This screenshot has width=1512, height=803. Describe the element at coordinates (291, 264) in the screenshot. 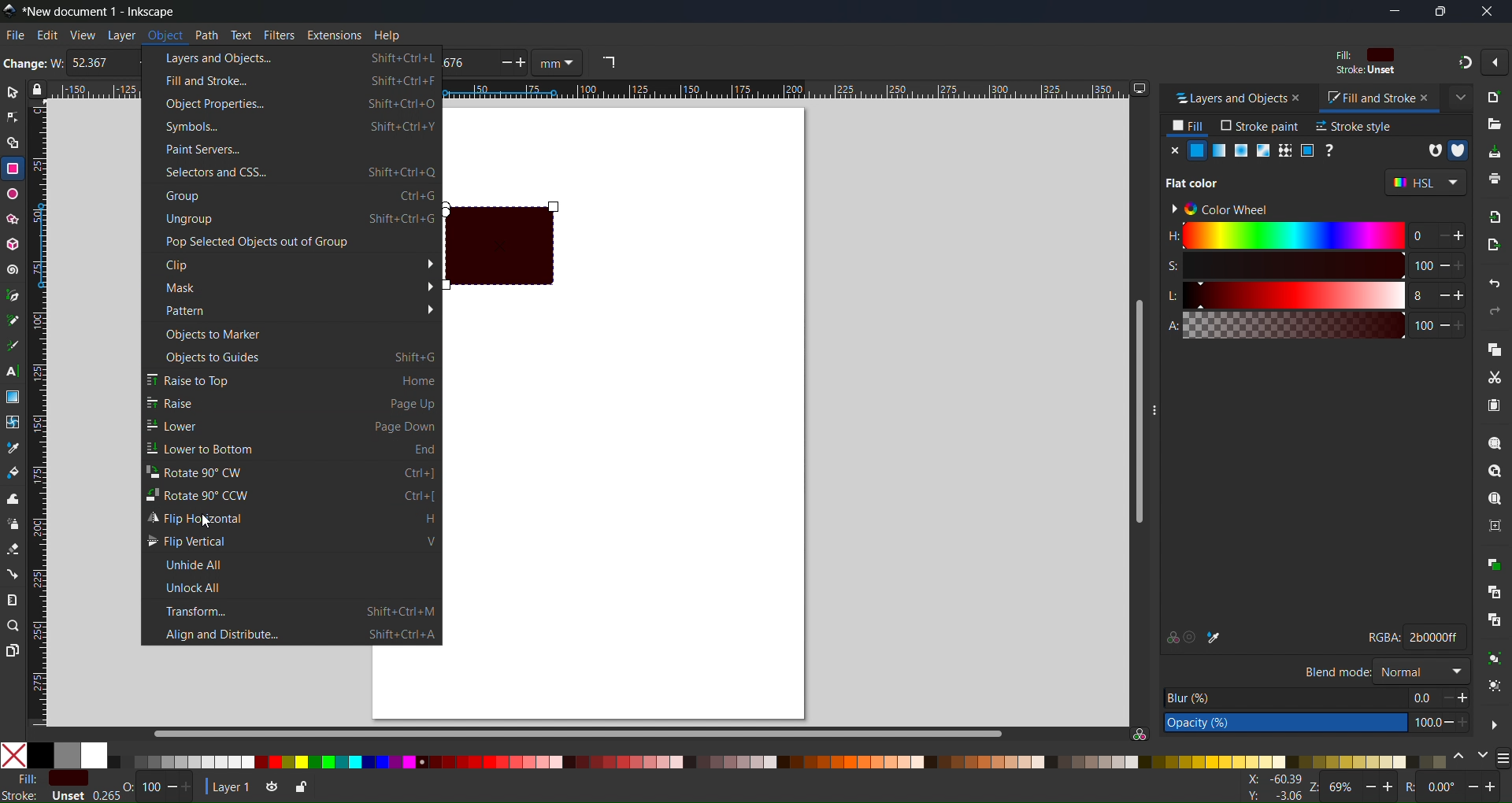

I see `Clip` at that location.